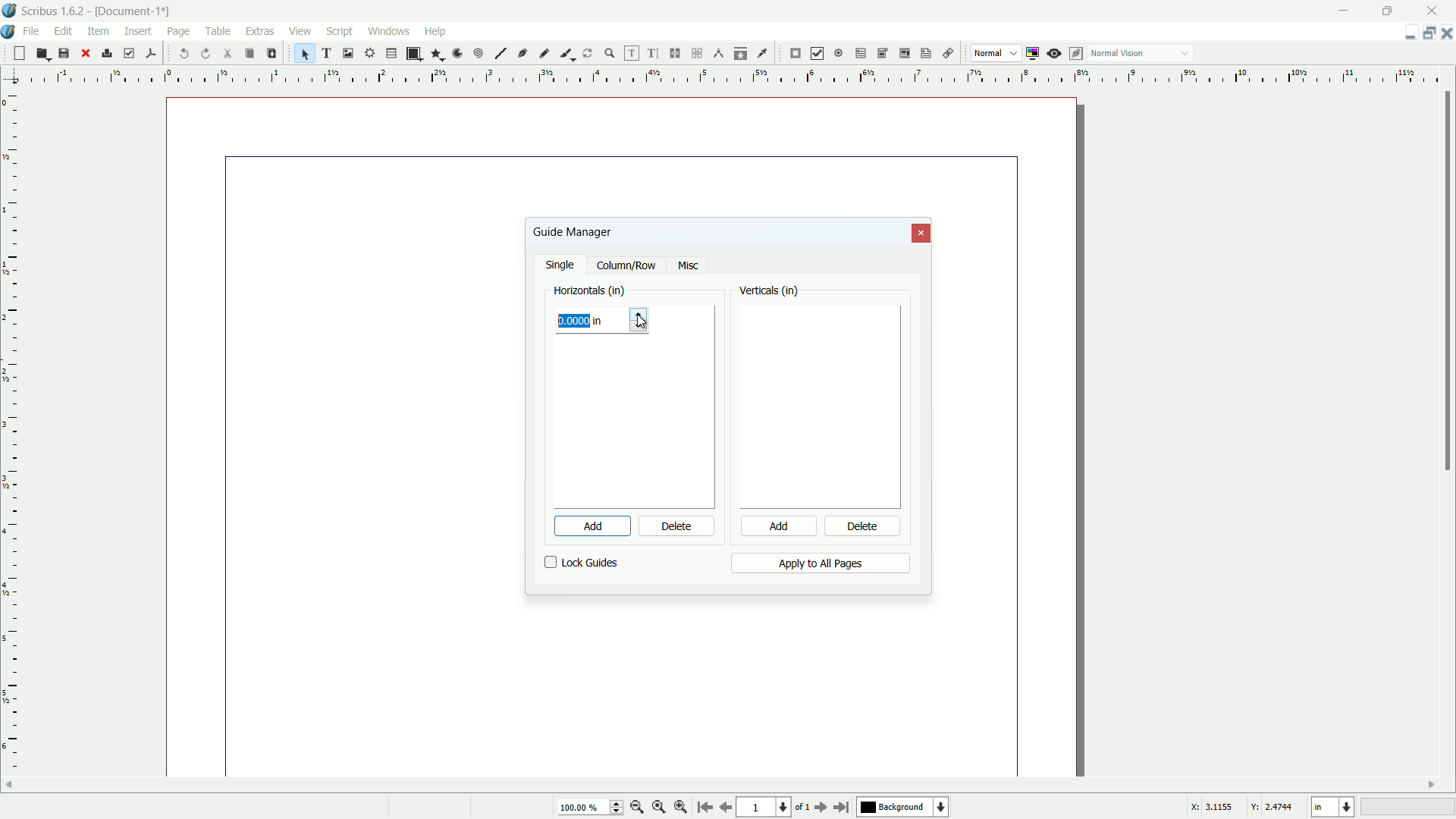  I want to click on open, so click(41, 54).